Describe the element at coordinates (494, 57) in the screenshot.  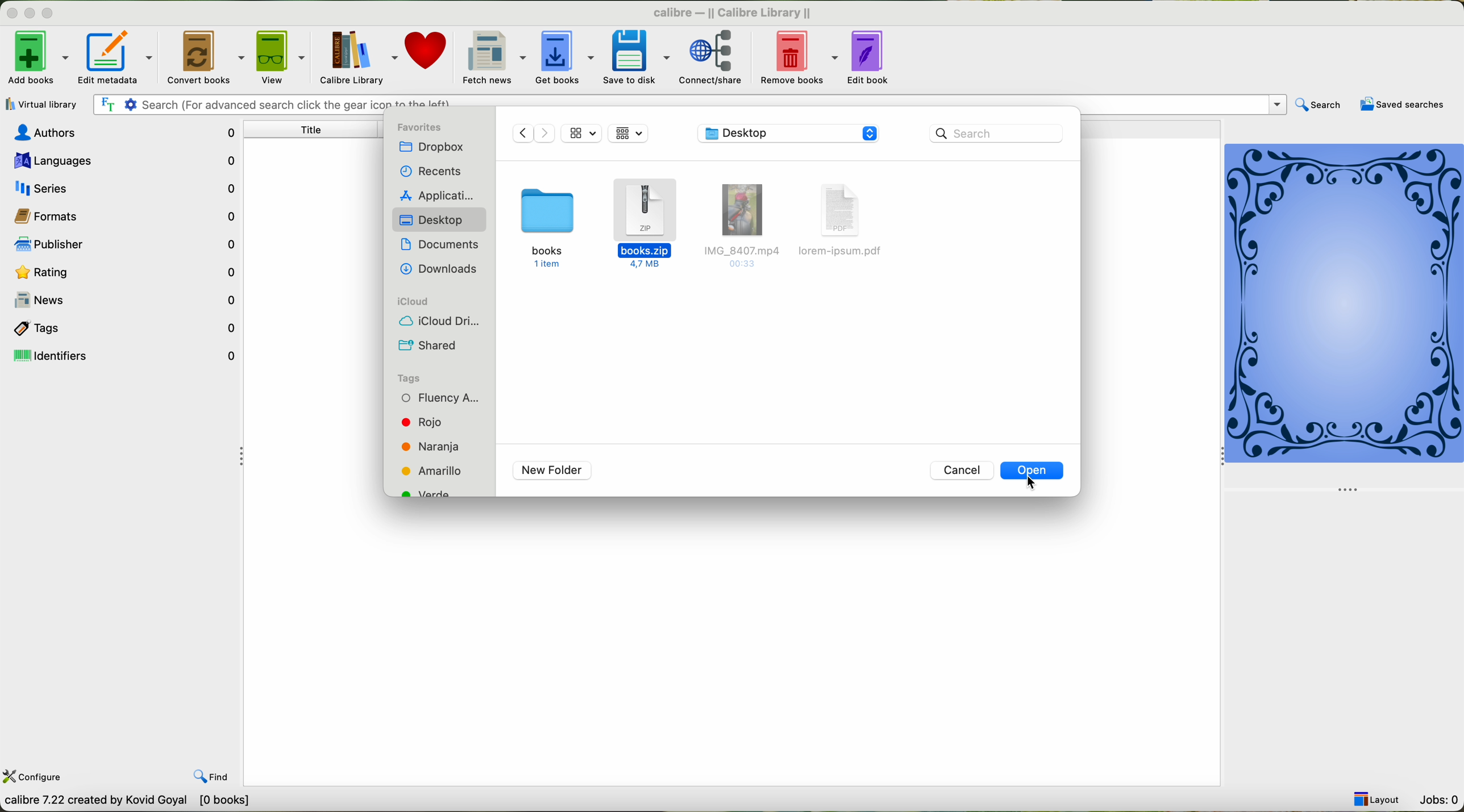
I see `fetch news` at that location.